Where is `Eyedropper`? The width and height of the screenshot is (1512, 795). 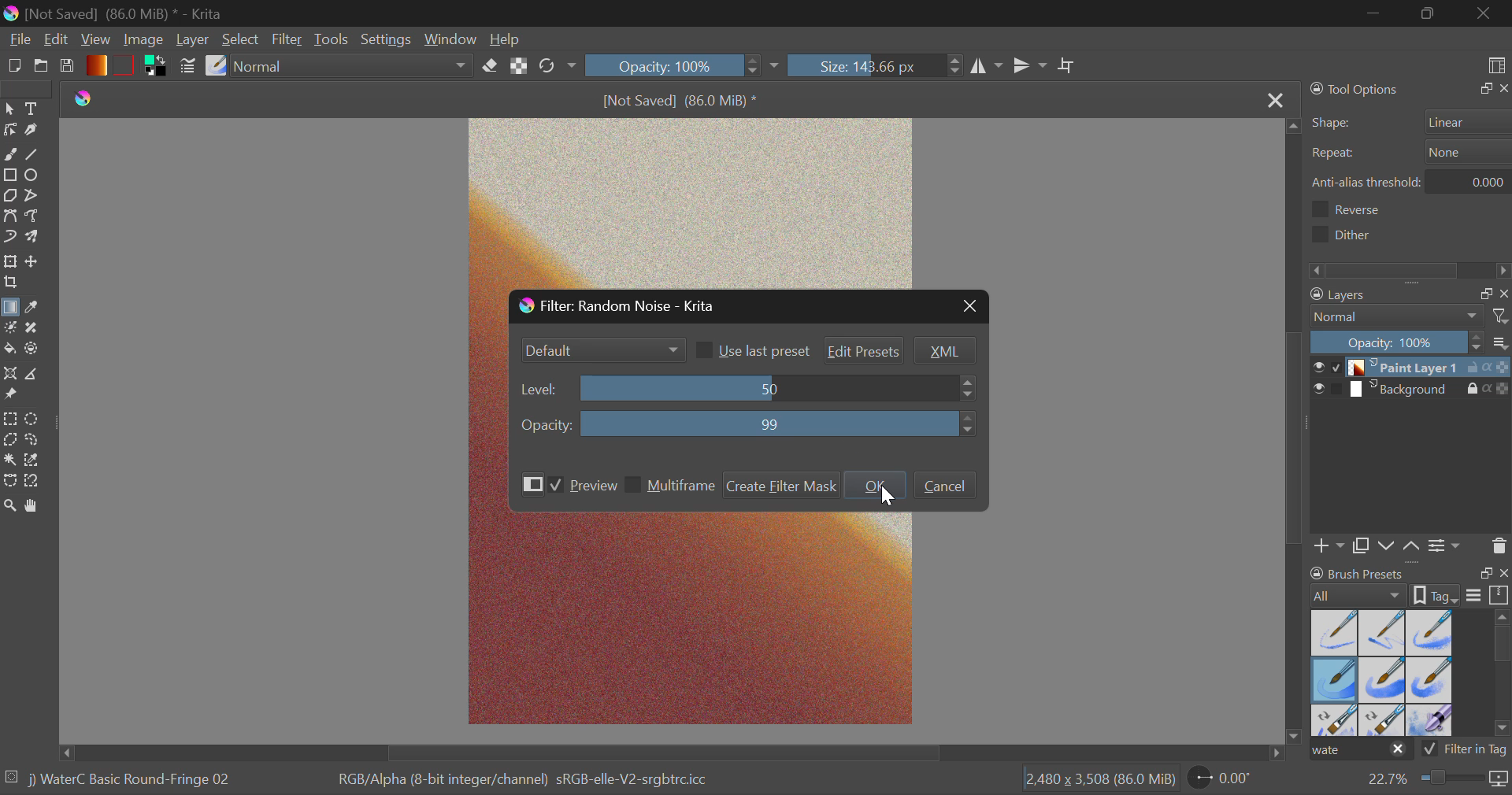 Eyedropper is located at coordinates (38, 309).